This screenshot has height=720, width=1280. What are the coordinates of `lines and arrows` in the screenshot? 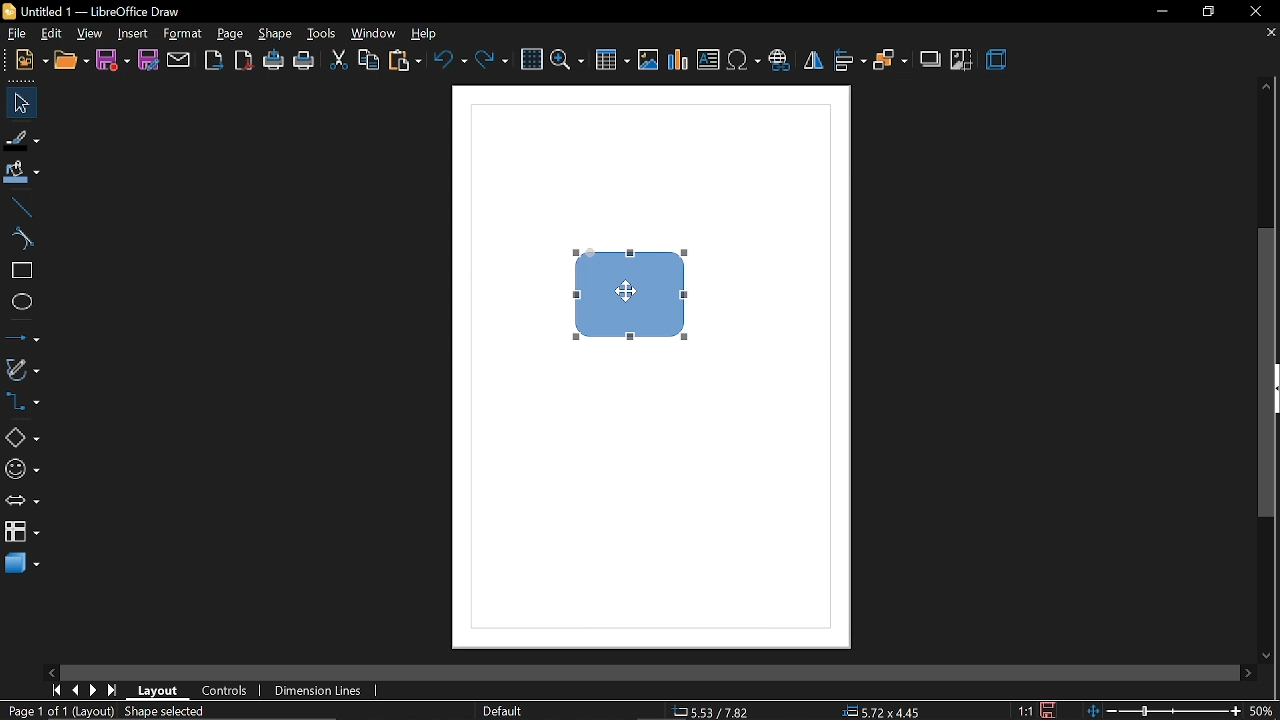 It's located at (22, 339).